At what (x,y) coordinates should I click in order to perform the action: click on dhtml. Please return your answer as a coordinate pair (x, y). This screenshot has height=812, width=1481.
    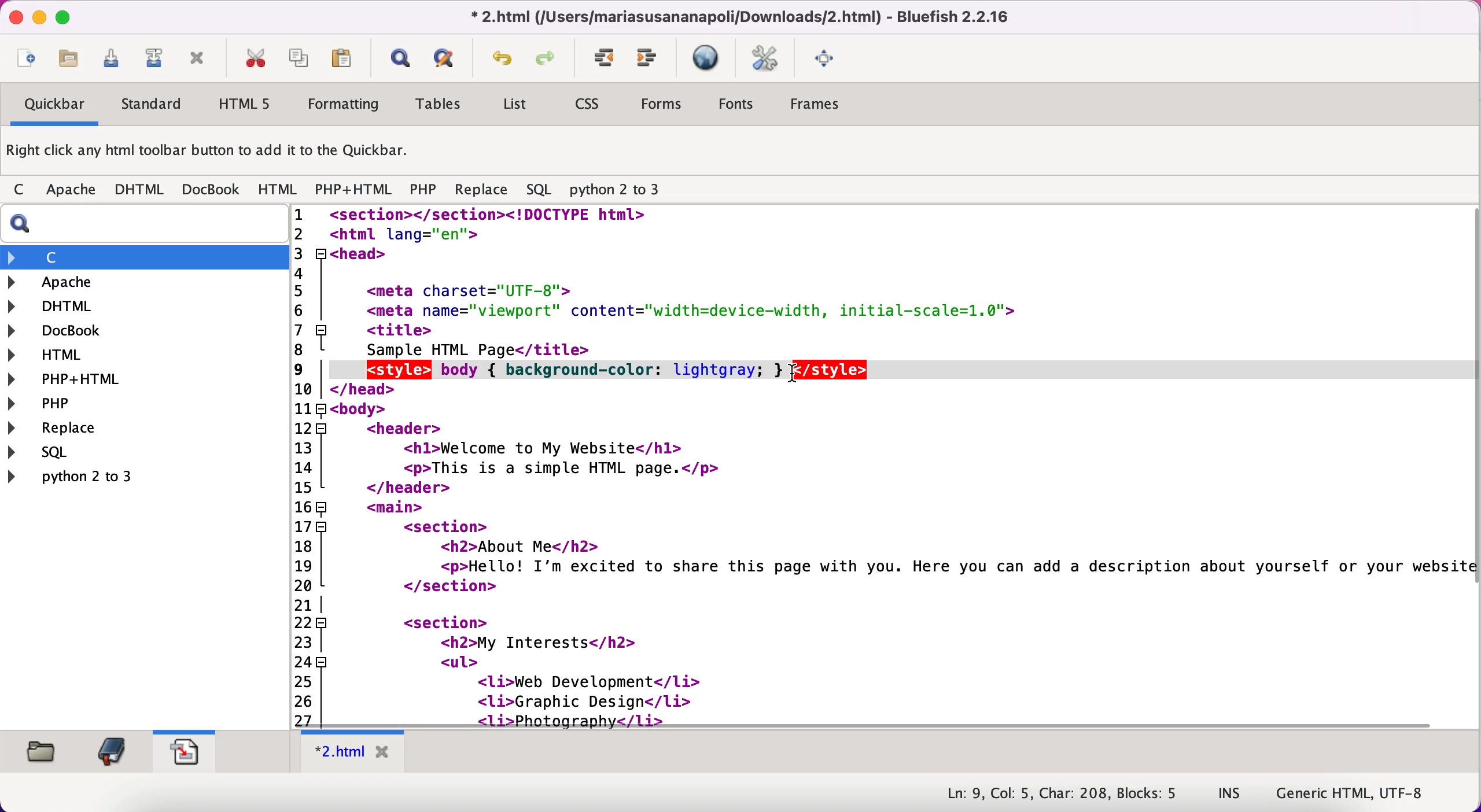
    Looking at the image, I should click on (140, 190).